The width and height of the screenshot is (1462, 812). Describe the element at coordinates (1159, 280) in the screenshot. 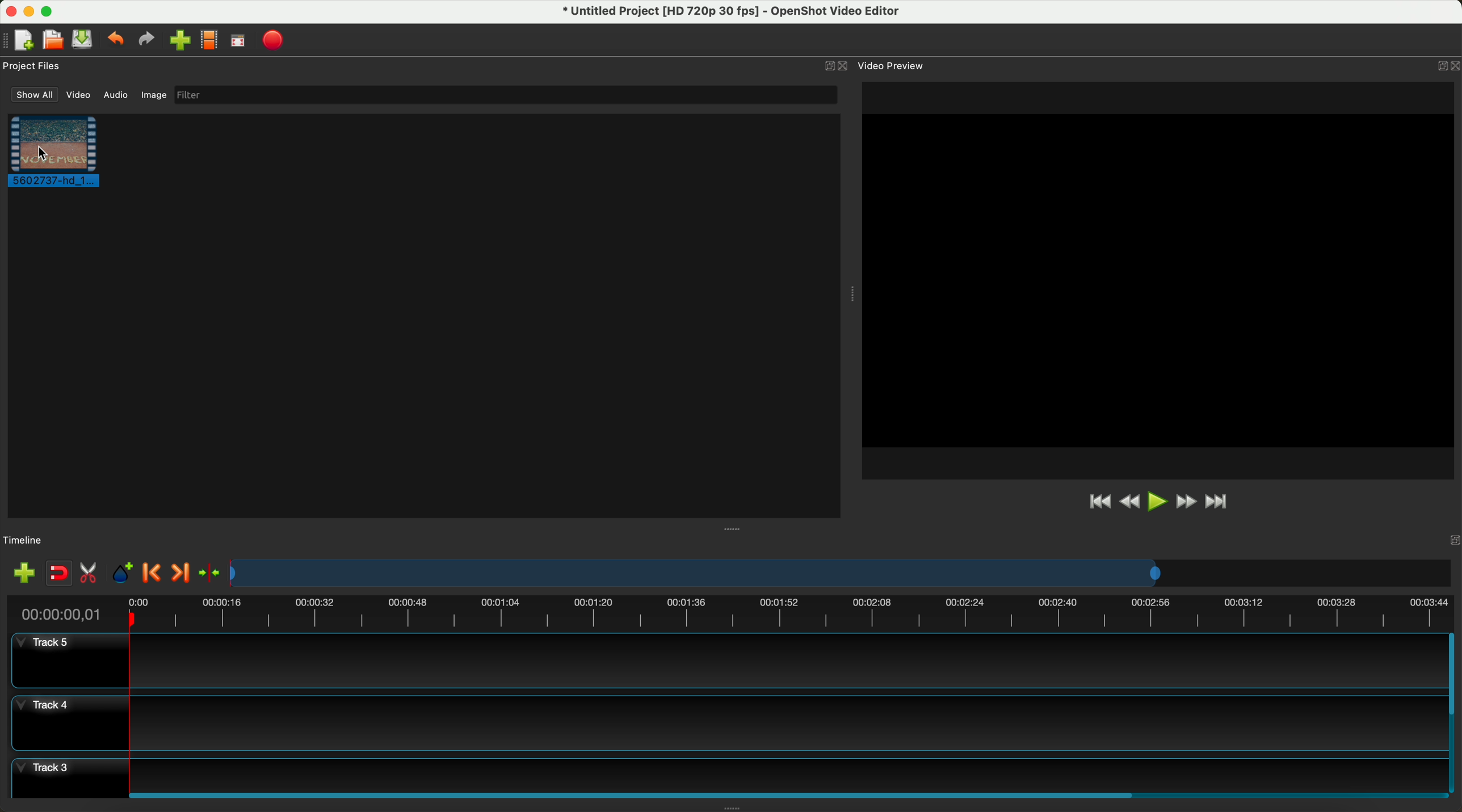

I see `video previw` at that location.